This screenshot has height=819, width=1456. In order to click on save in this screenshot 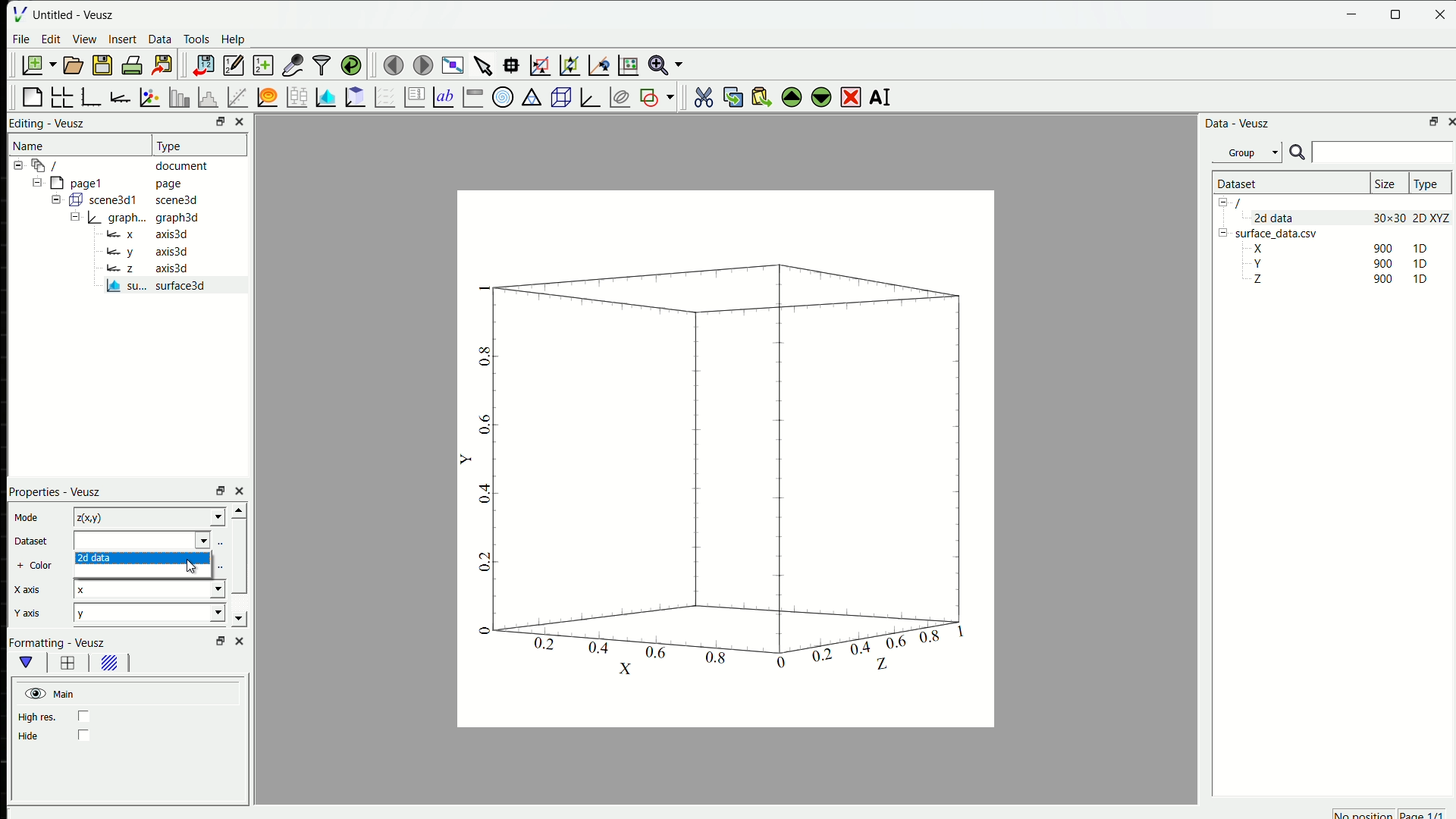, I will do `click(104, 65)`.